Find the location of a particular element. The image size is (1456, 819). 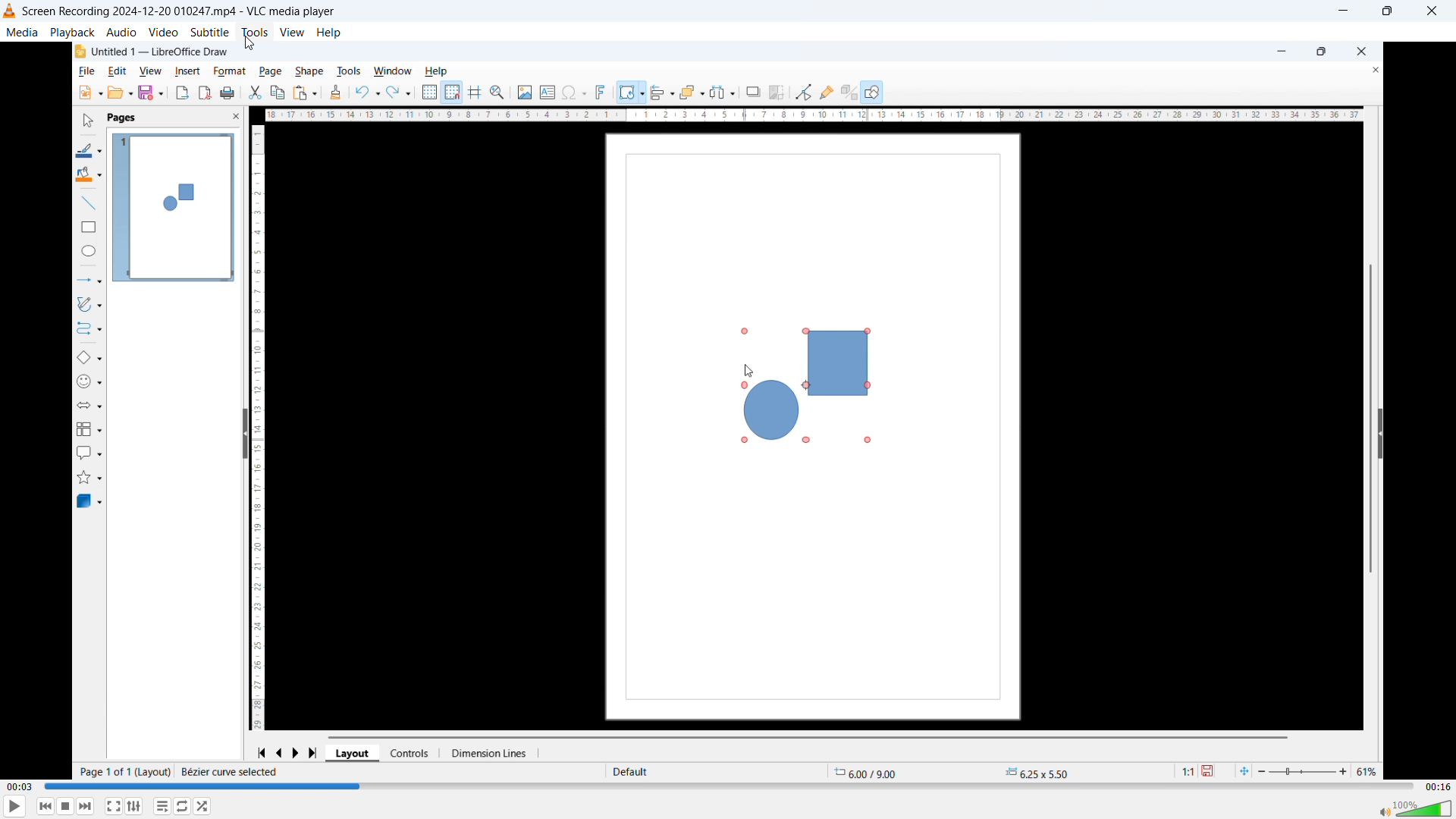

Video duration  is located at coordinates (1436, 786).